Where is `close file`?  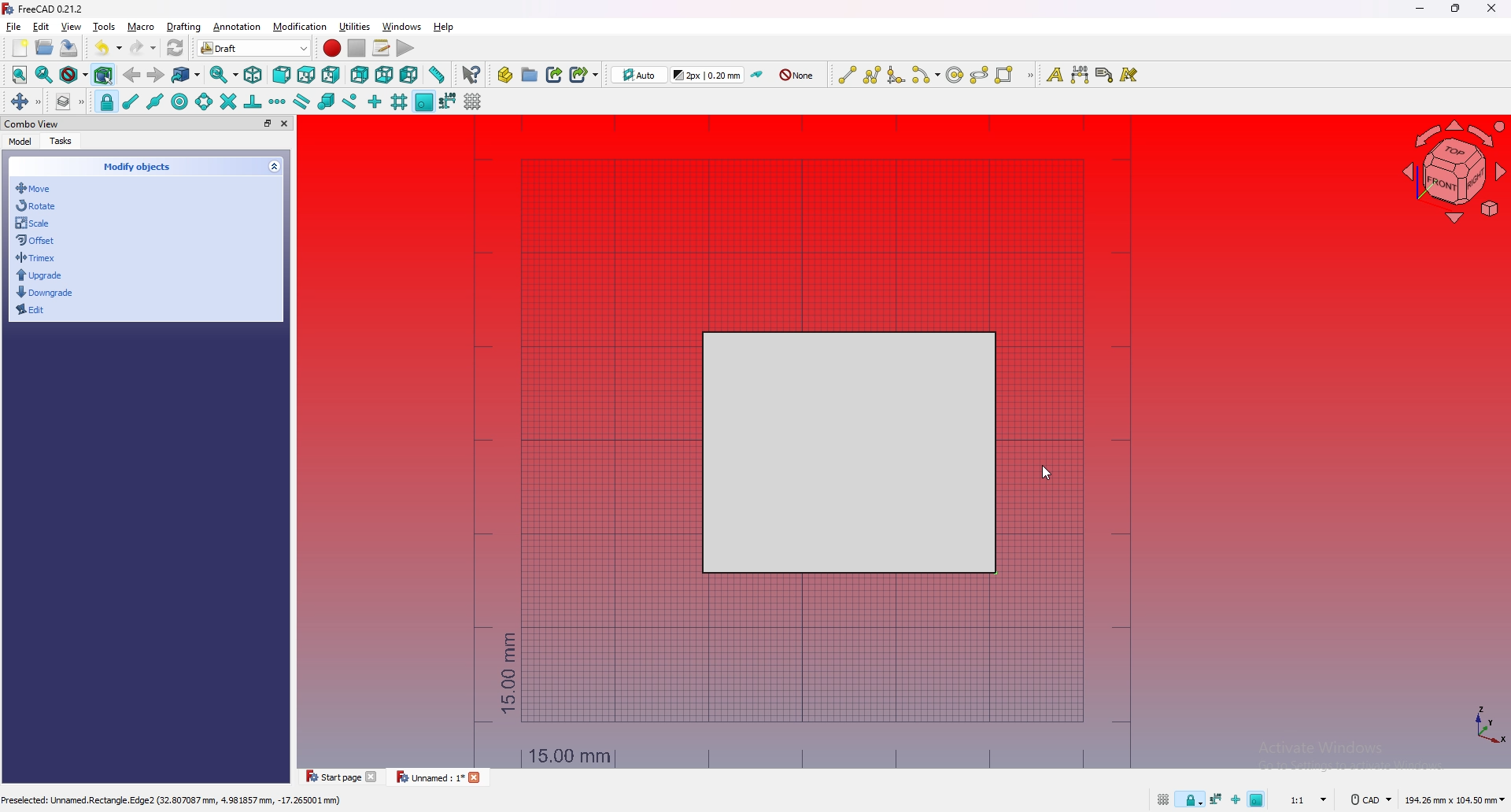
close file is located at coordinates (478, 779).